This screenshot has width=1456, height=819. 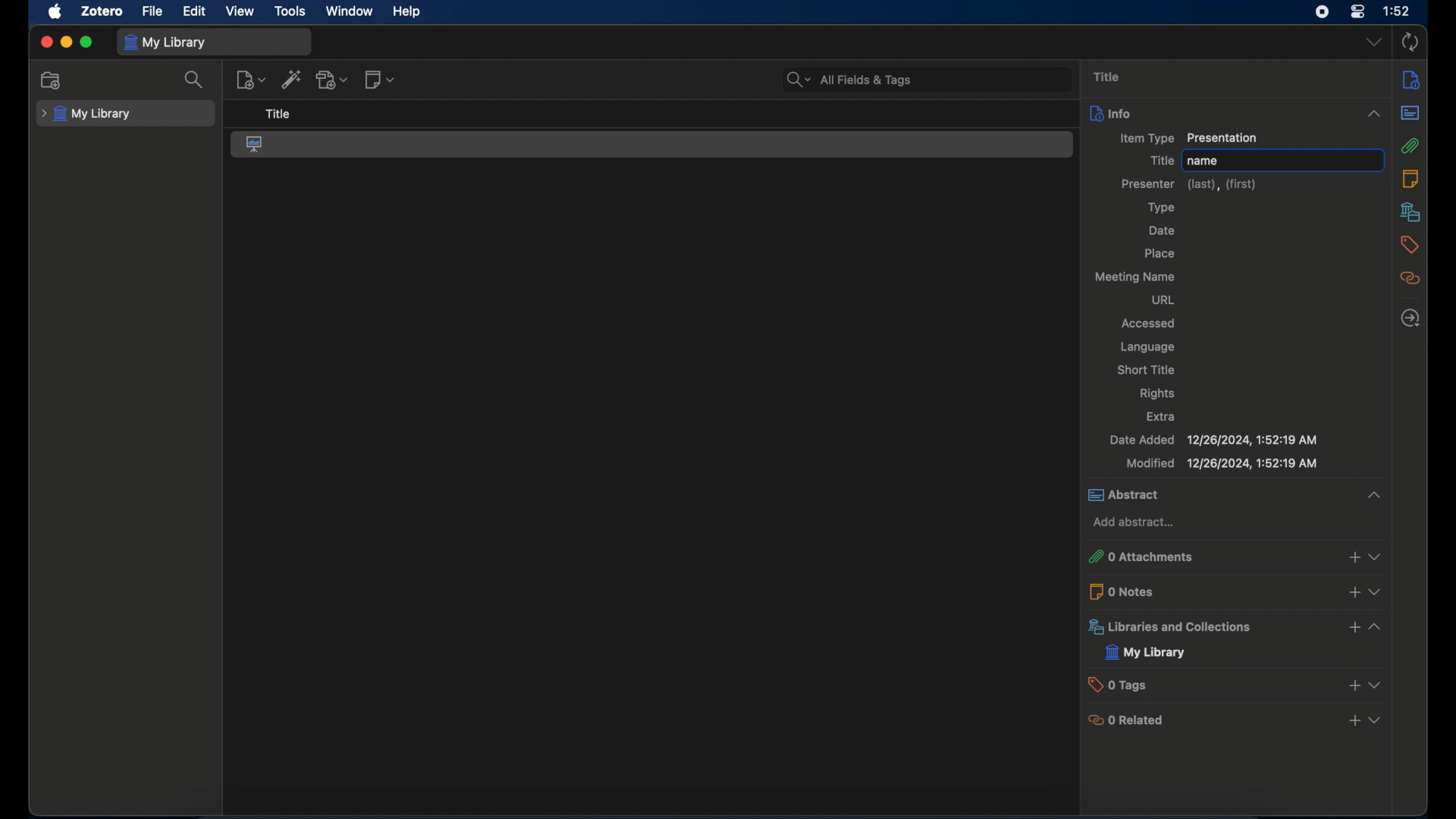 I want to click on item type presentation, so click(x=1187, y=139).